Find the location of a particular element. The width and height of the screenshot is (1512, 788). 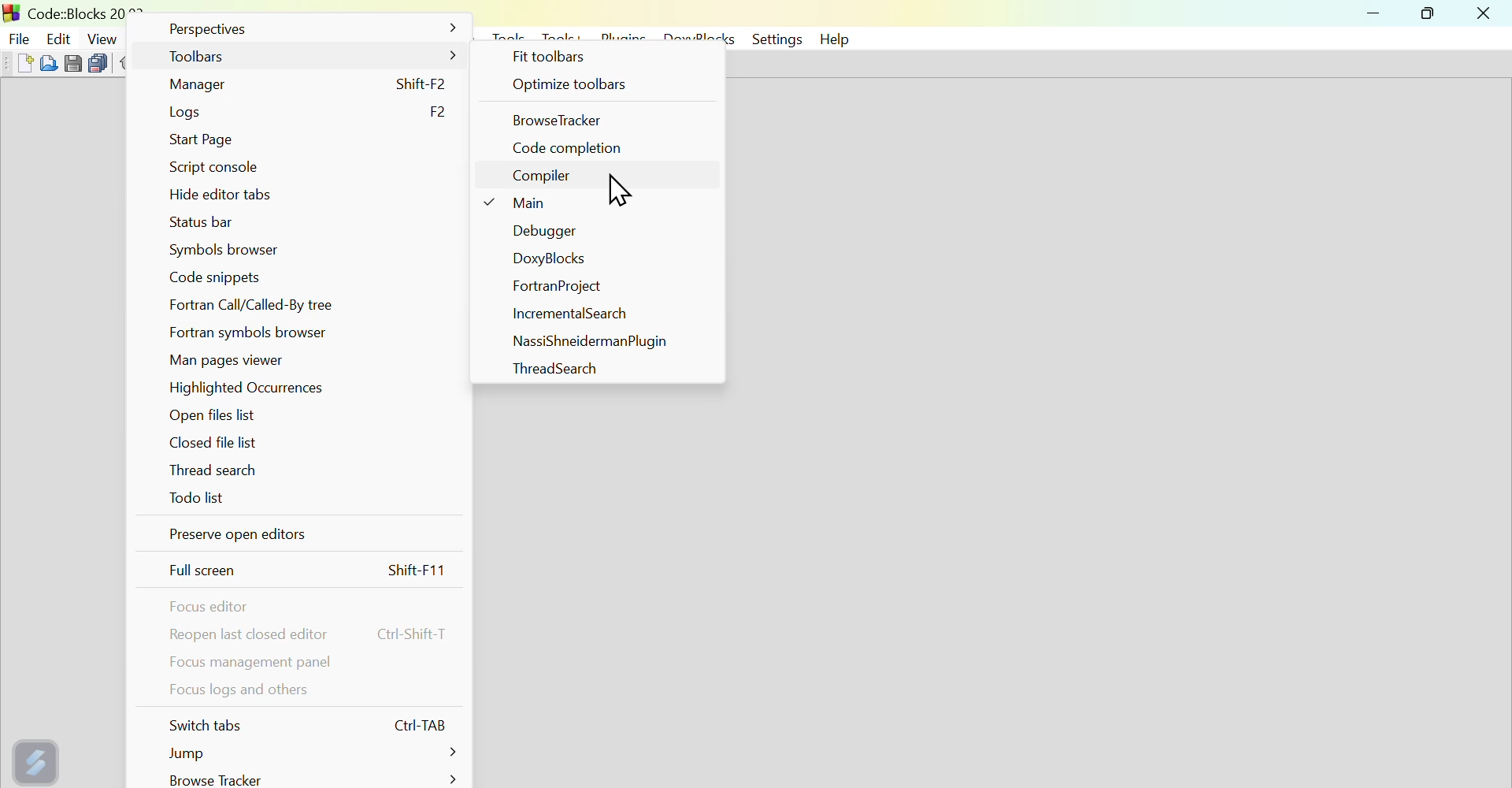

Fortran project is located at coordinates (558, 288).